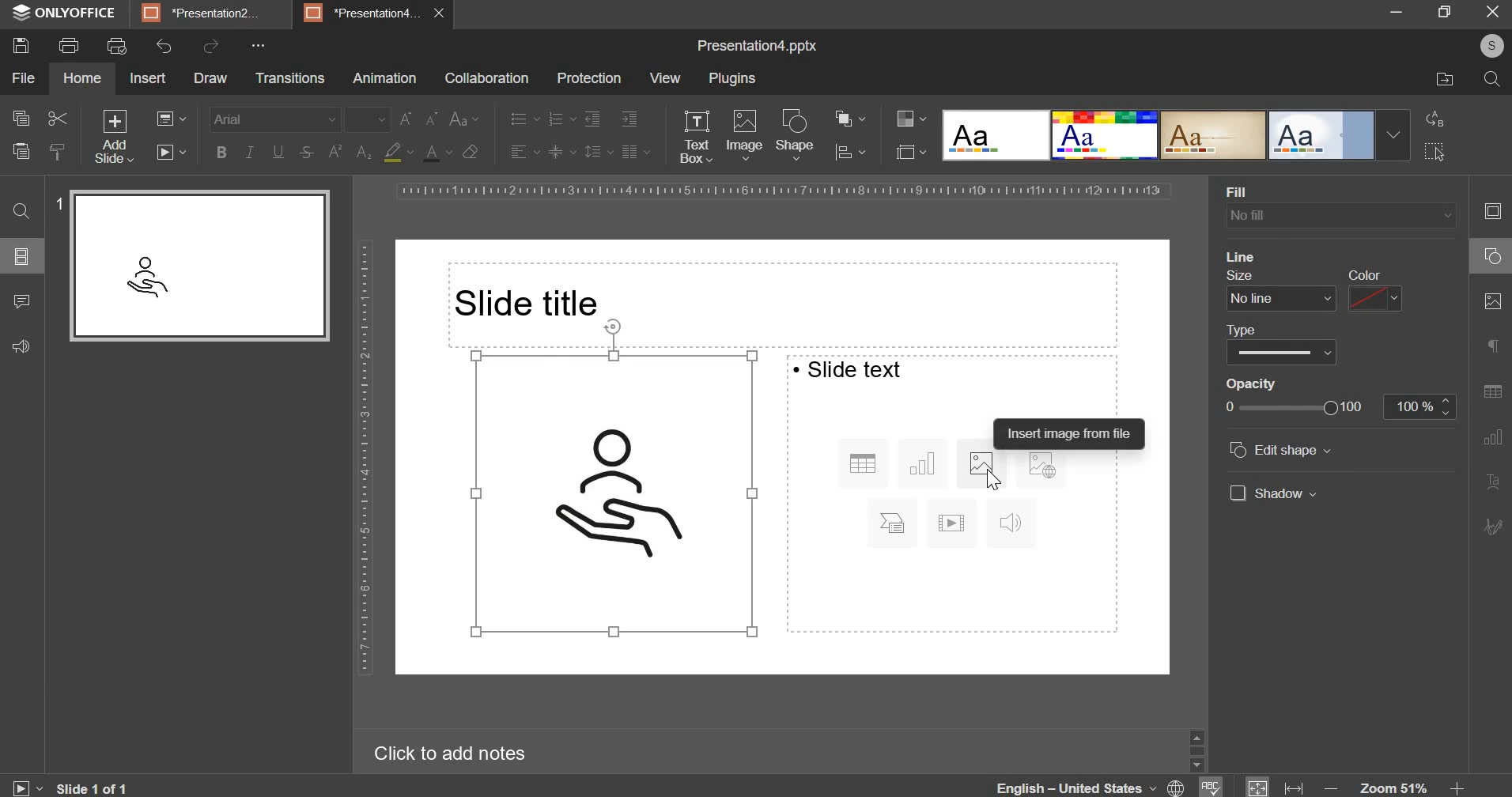 Image resolution: width=1512 pixels, height=797 pixels. What do you see at coordinates (1491, 46) in the screenshot?
I see `user profile` at bounding box center [1491, 46].